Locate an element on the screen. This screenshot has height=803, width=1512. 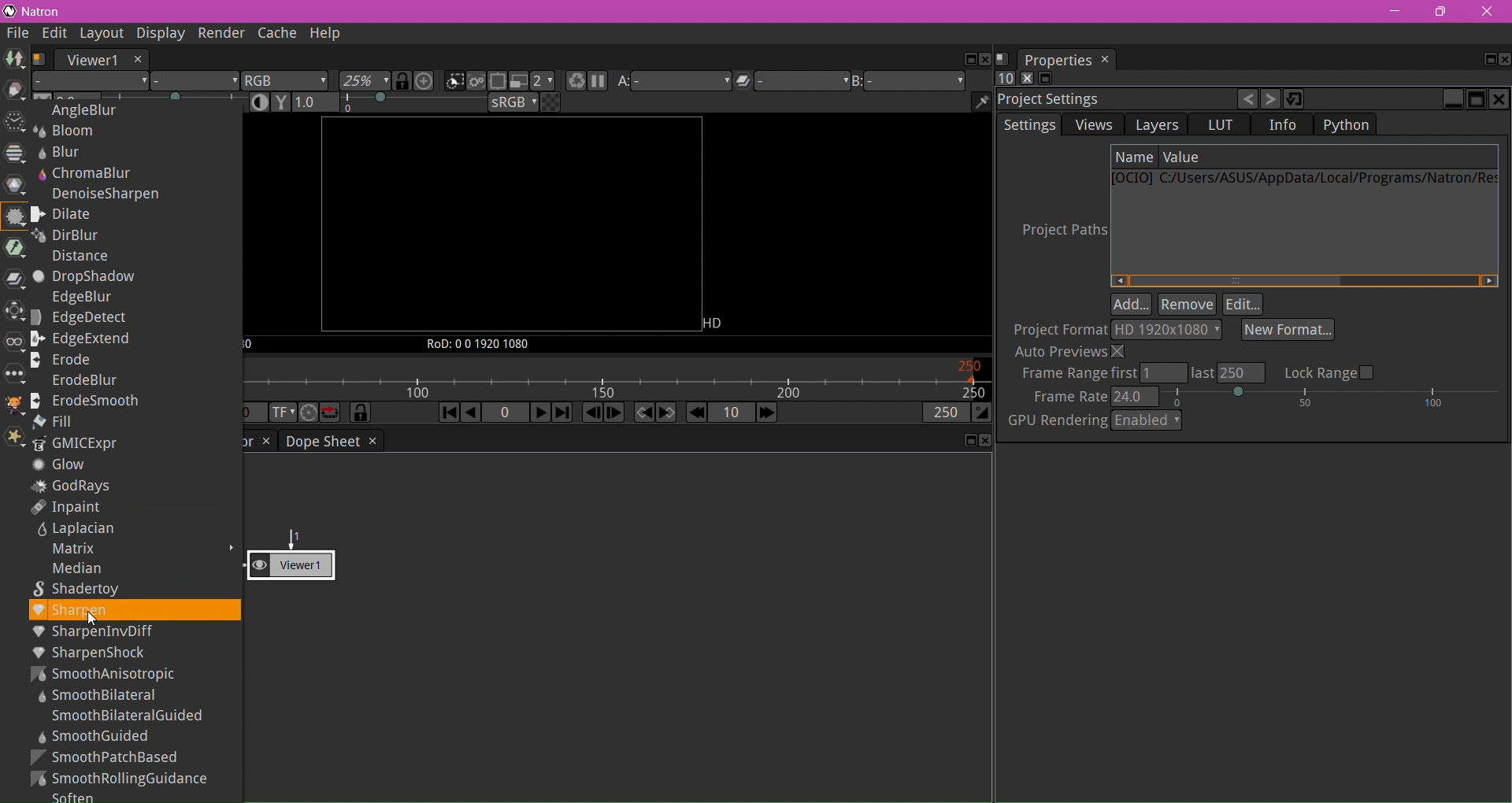
Properties is located at coordinates (1057, 60).